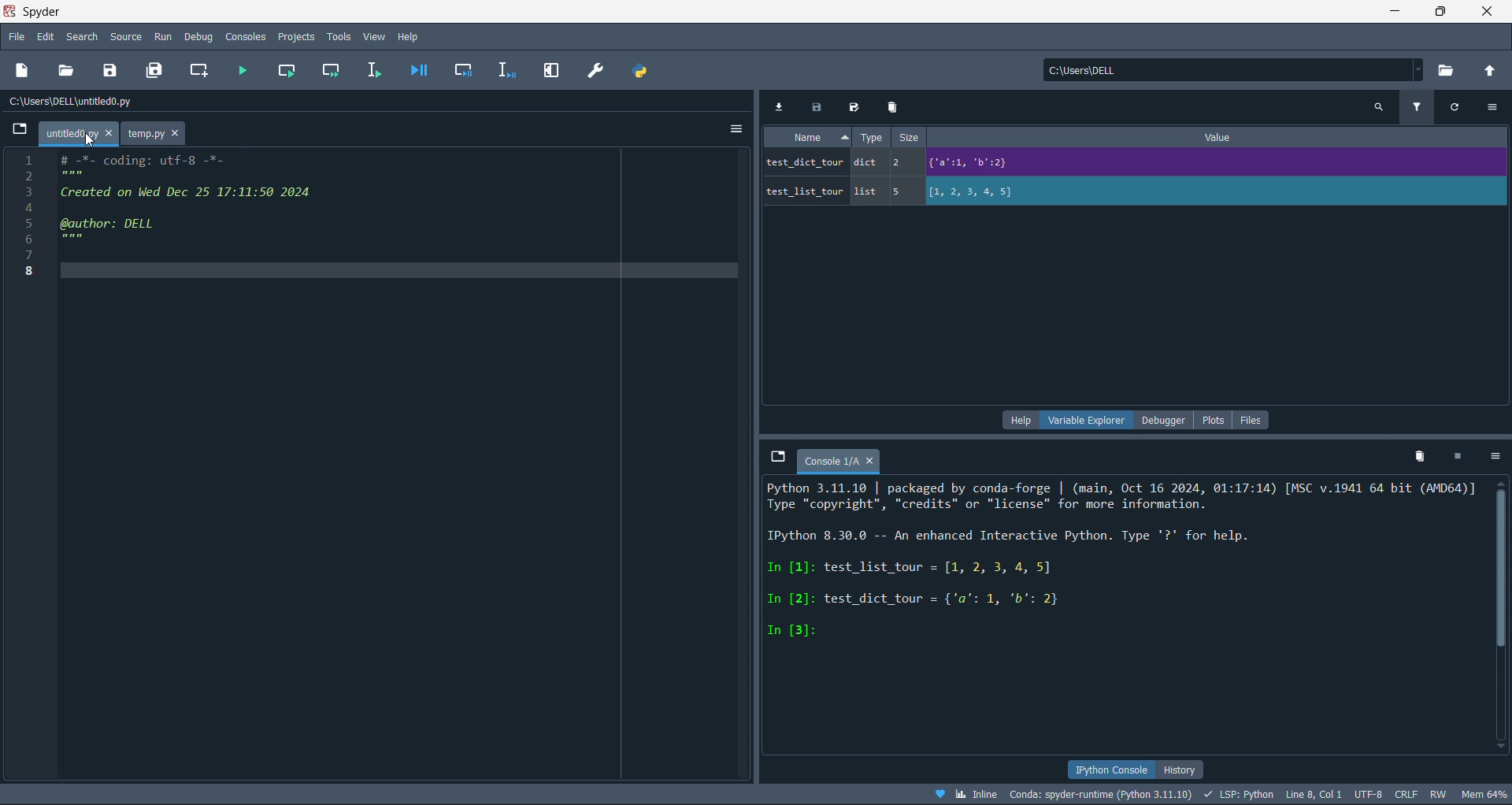 The height and width of the screenshot is (805, 1512). I want to click on ipython console pane, so click(1105, 767).